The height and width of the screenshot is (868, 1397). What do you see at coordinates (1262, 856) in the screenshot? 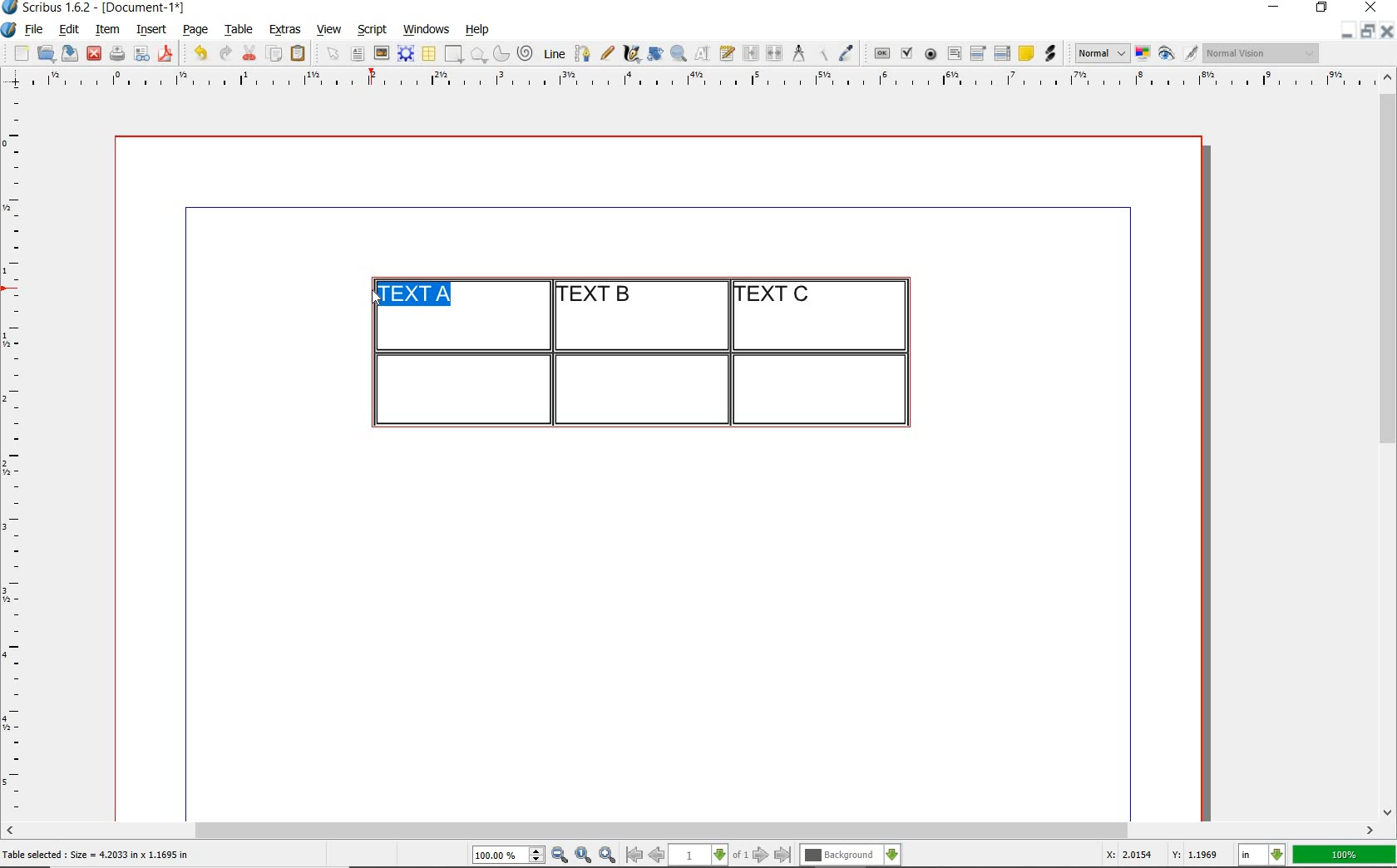
I see `select the current unit` at bounding box center [1262, 856].